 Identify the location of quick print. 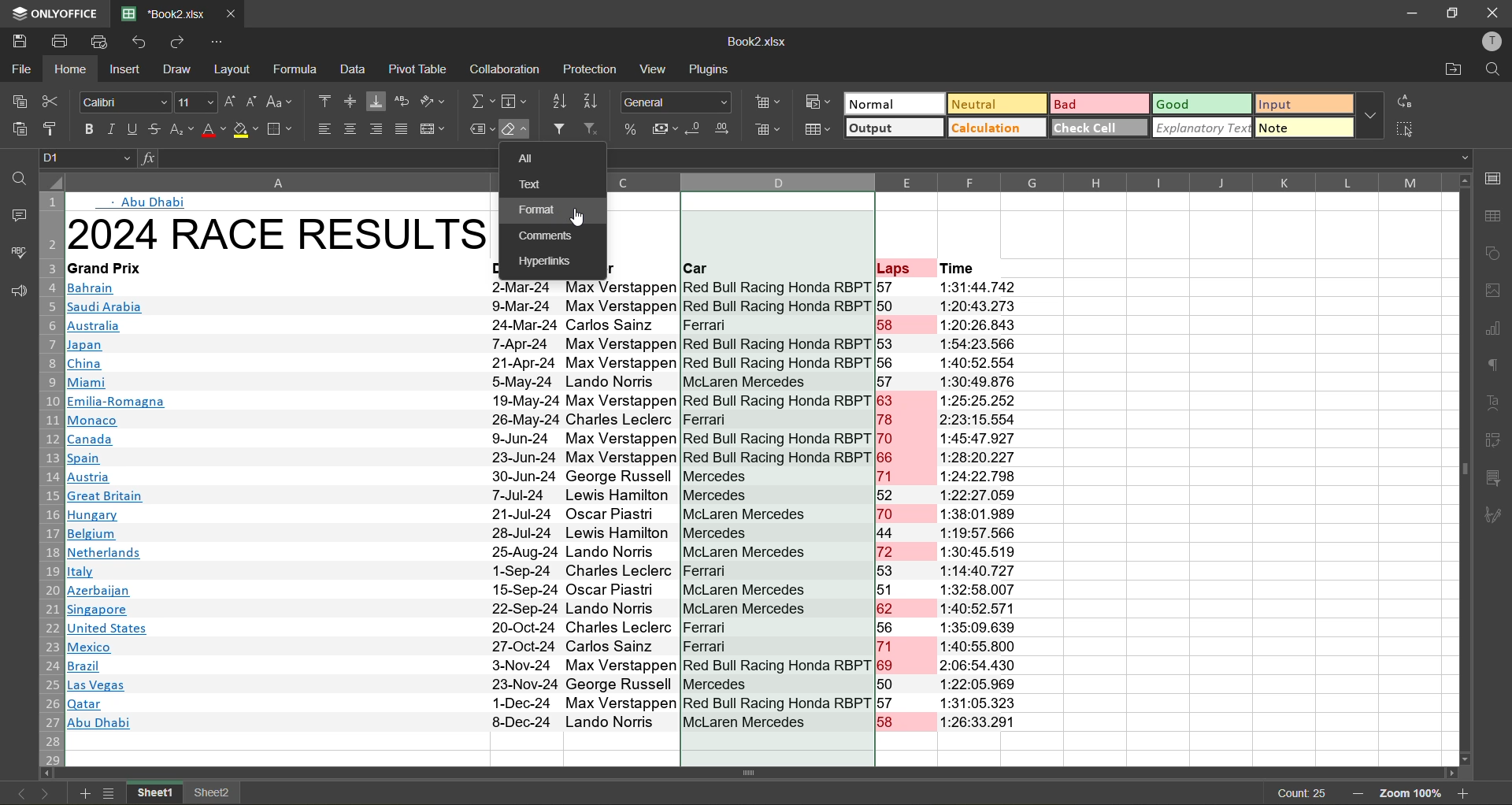
(98, 41).